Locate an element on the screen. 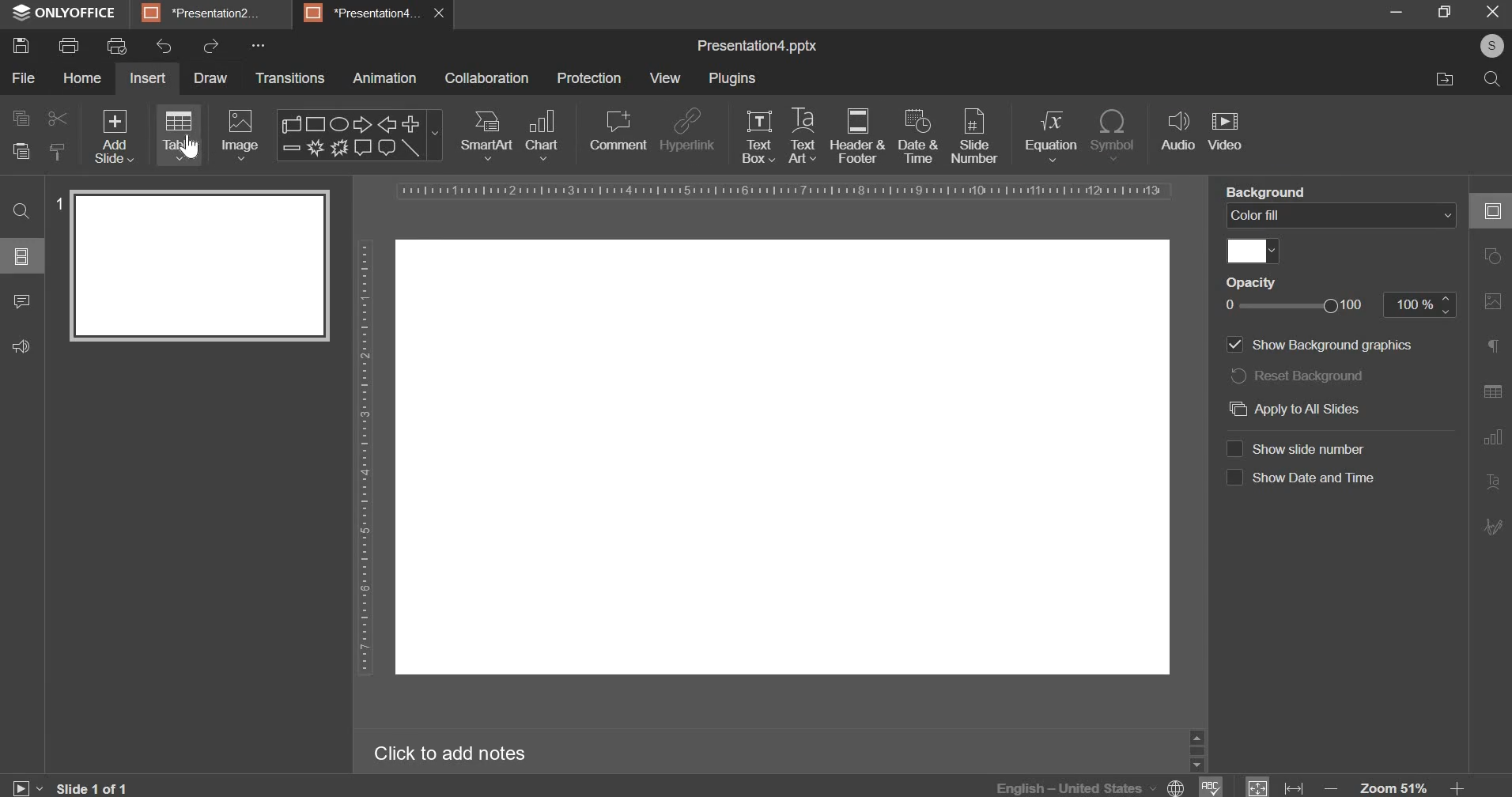  animation is located at coordinates (385, 77).